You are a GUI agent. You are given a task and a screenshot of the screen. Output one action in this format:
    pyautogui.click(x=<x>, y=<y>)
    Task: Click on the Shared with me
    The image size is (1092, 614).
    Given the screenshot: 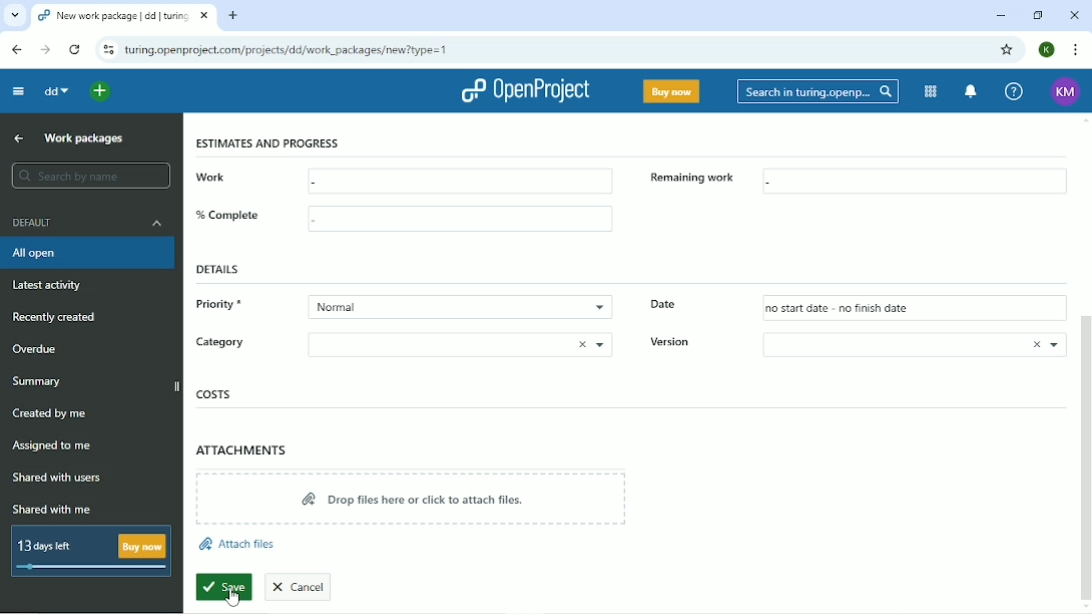 What is the action you would take?
    pyautogui.click(x=51, y=509)
    